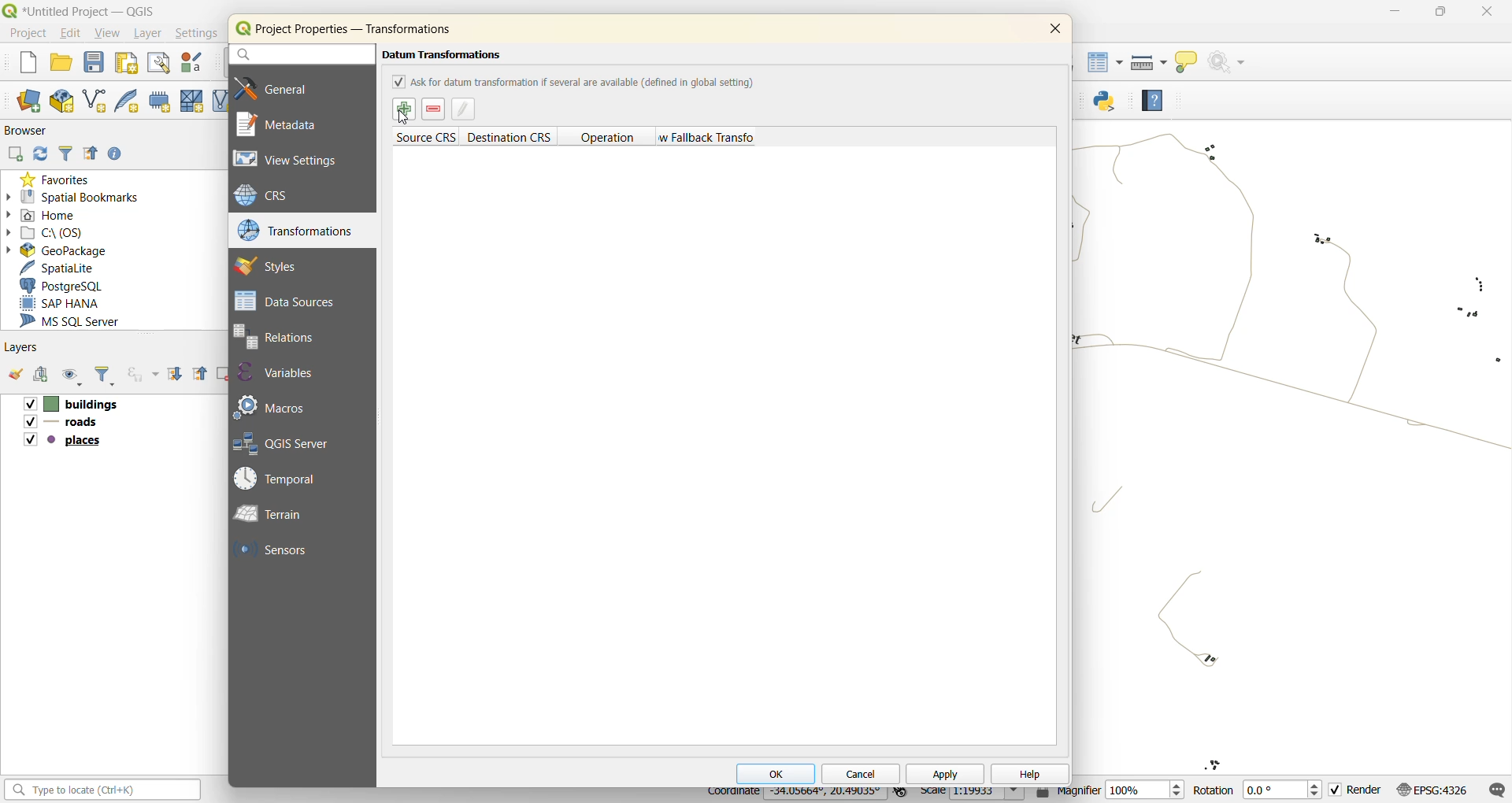 This screenshot has width=1512, height=803. What do you see at coordinates (79, 320) in the screenshot?
I see `ms sql server` at bounding box center [79, 320].